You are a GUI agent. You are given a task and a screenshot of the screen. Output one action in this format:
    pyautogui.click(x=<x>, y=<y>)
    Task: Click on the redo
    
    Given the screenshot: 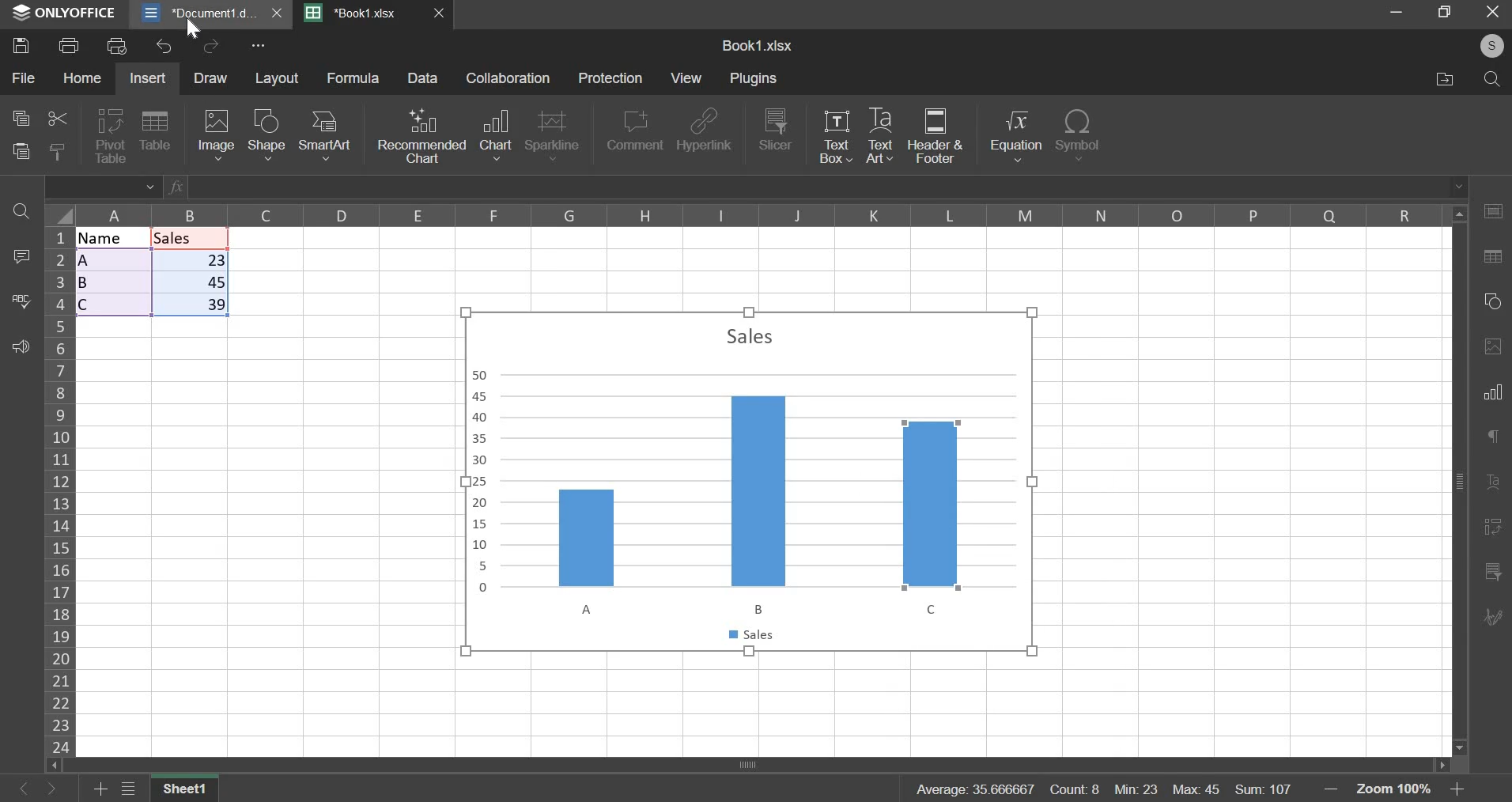 What is the action you would take?
    pyautogui.click(x=214, y=45)
    